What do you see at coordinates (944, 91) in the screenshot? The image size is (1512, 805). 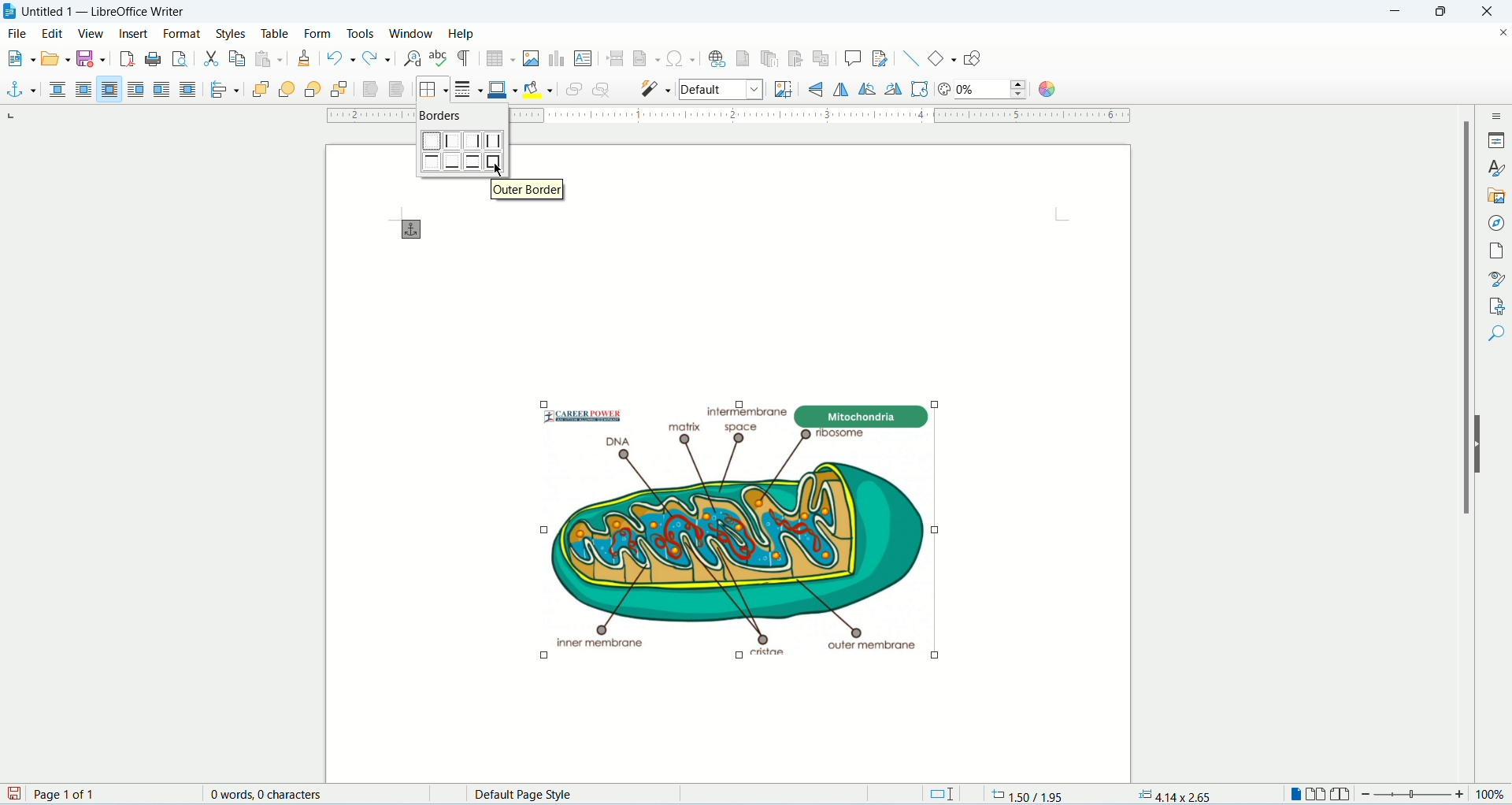 I see `transparency` at bounding box center [944, 91].